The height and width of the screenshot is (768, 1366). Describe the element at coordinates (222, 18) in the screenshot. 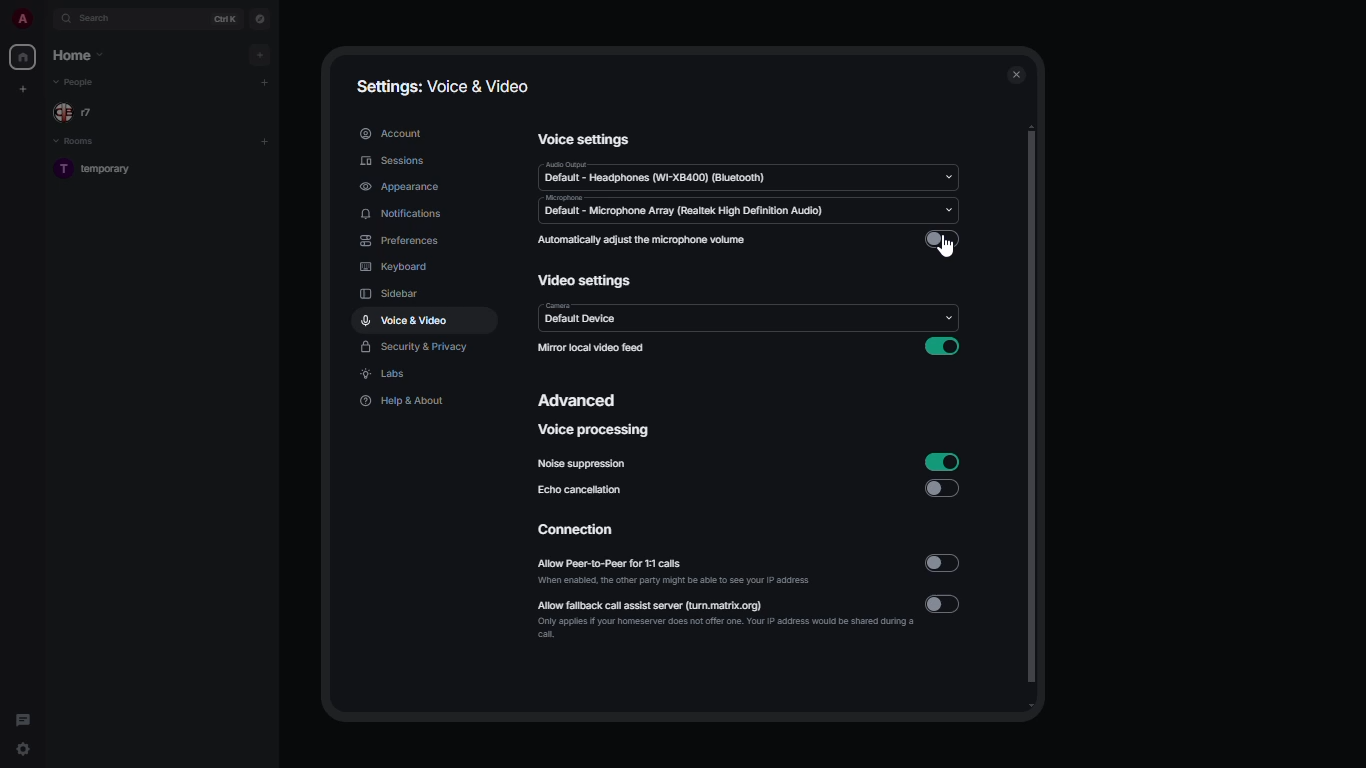

I see `ctrl K` at that location.